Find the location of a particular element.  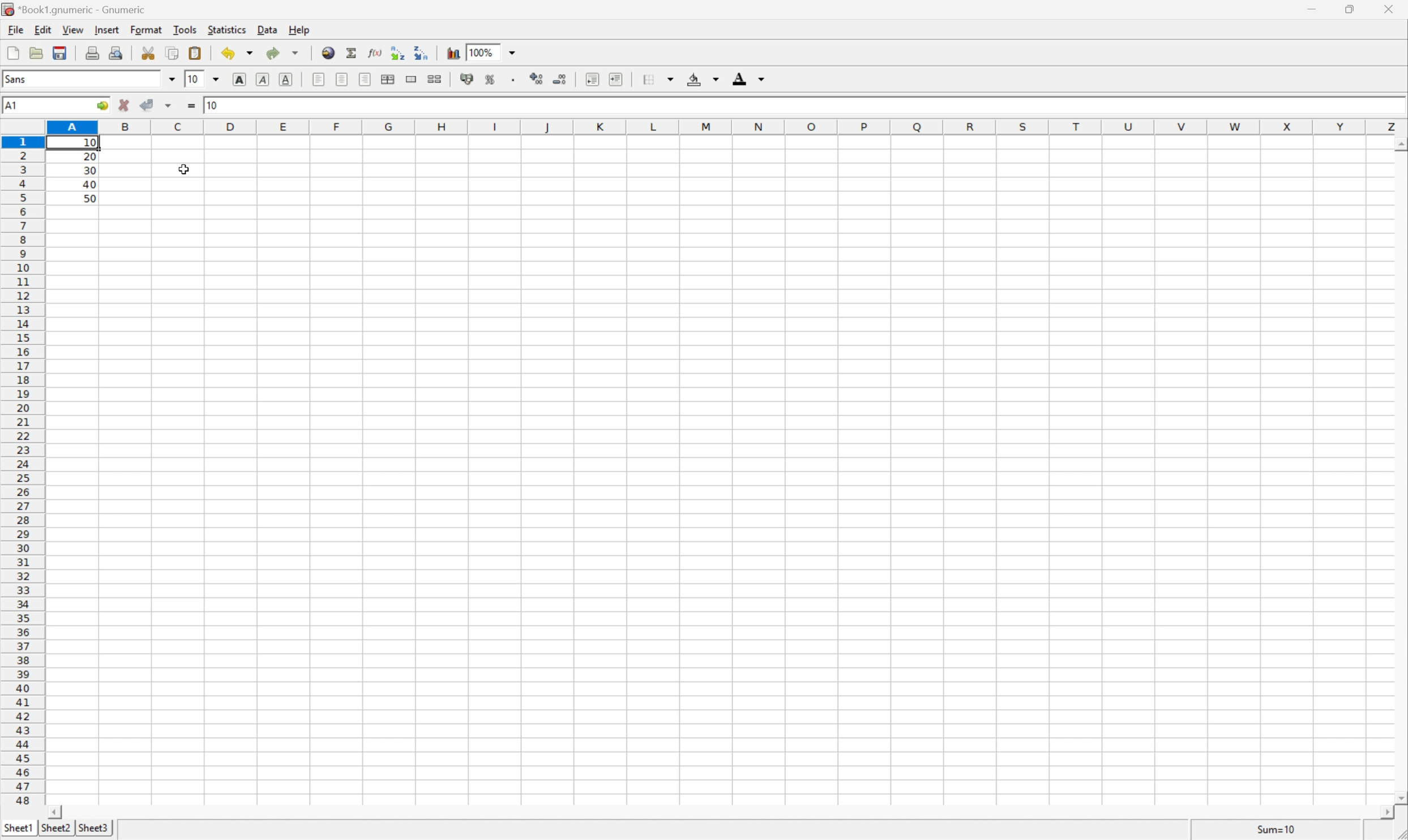

Enter formula is located at coordinates (191, 106).